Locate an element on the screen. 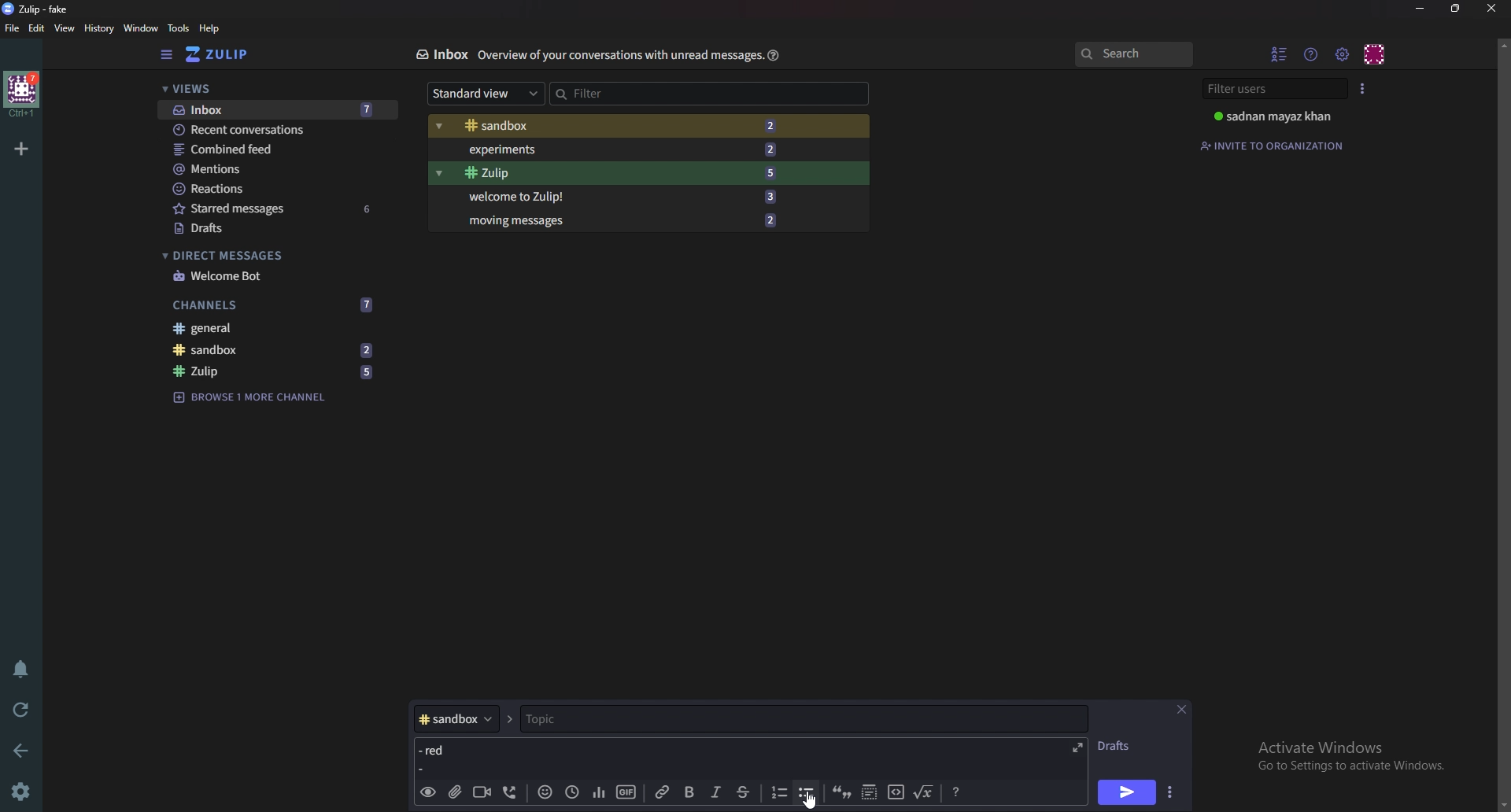 The height and width of the screenshot is (812, 1511). Italic is located at coordinates (716, 792).